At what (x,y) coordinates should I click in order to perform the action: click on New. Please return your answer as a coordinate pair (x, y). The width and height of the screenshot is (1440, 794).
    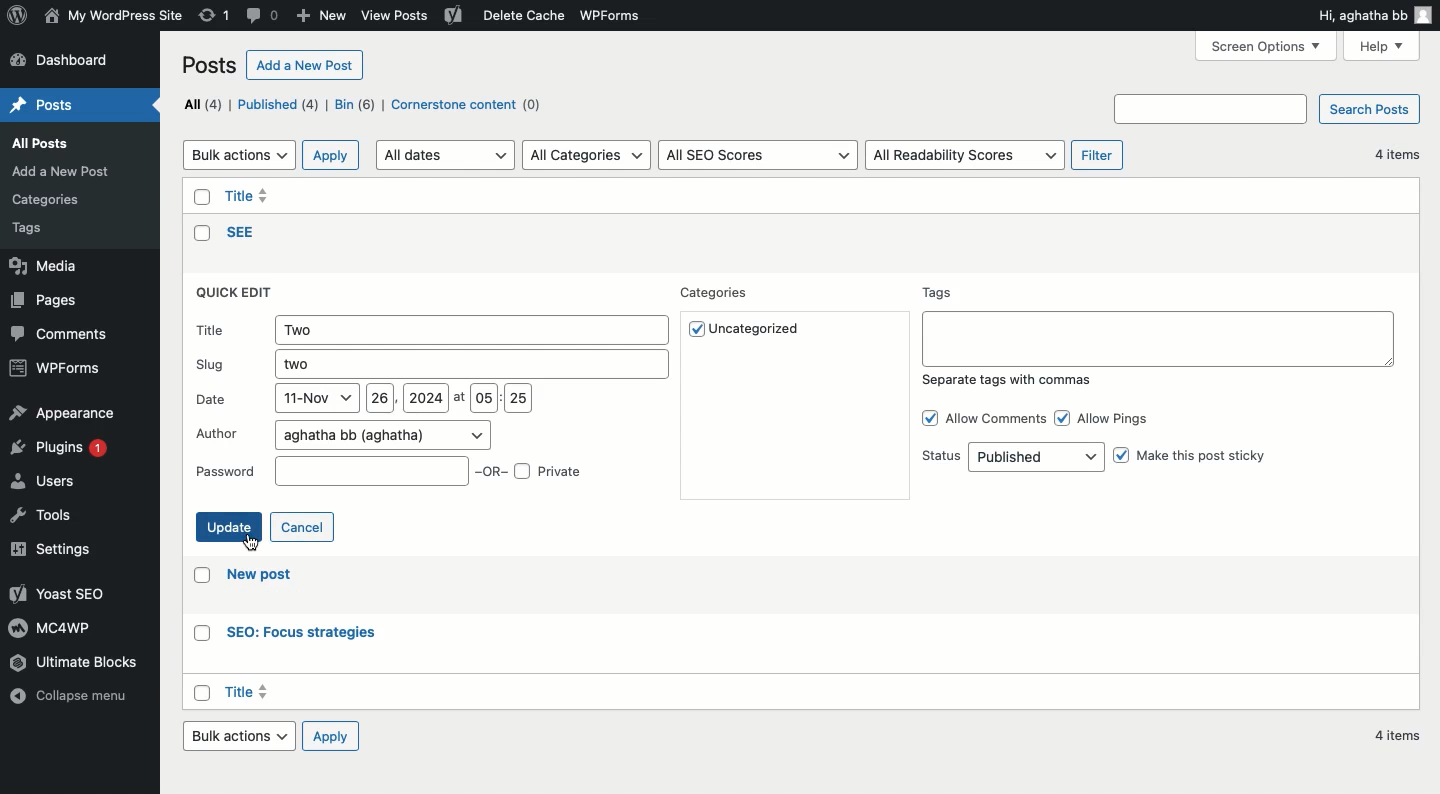
    Looking at the image, I should click on (320, 17).